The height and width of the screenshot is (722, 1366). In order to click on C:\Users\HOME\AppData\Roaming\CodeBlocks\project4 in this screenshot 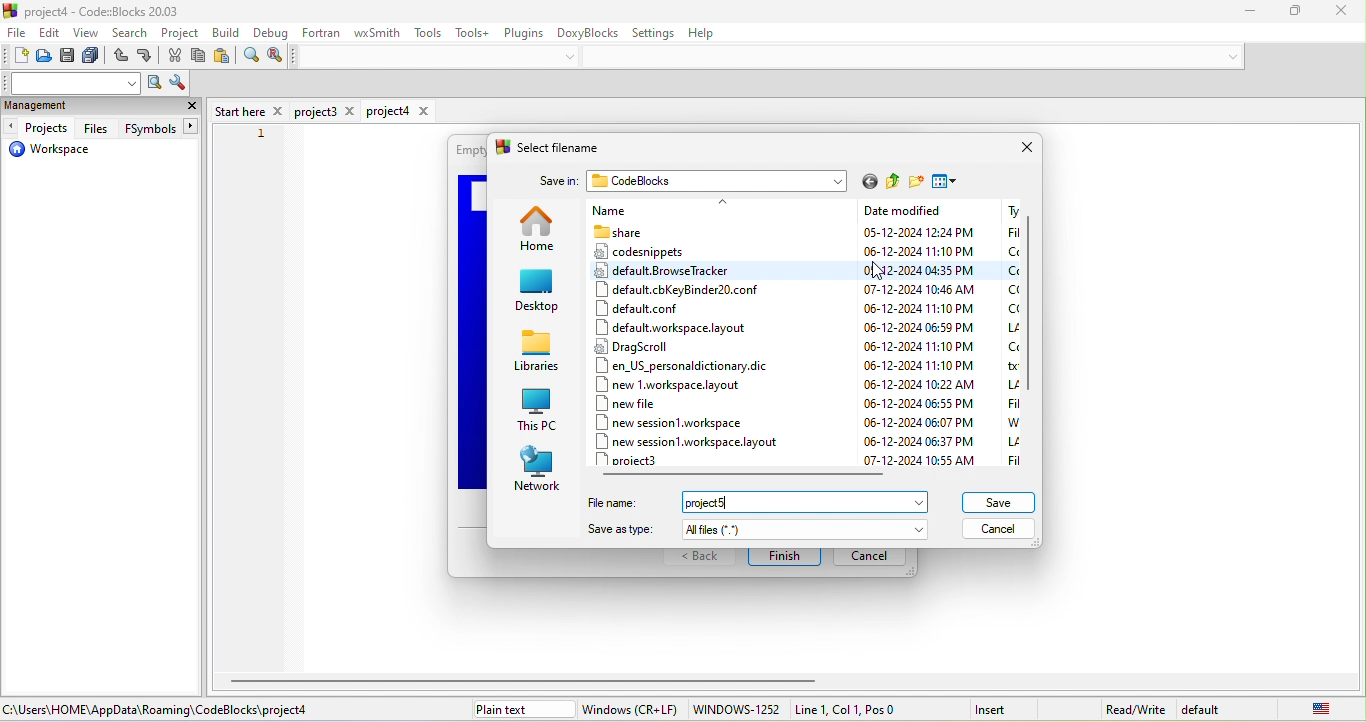, I will do `click(164, 710)`.